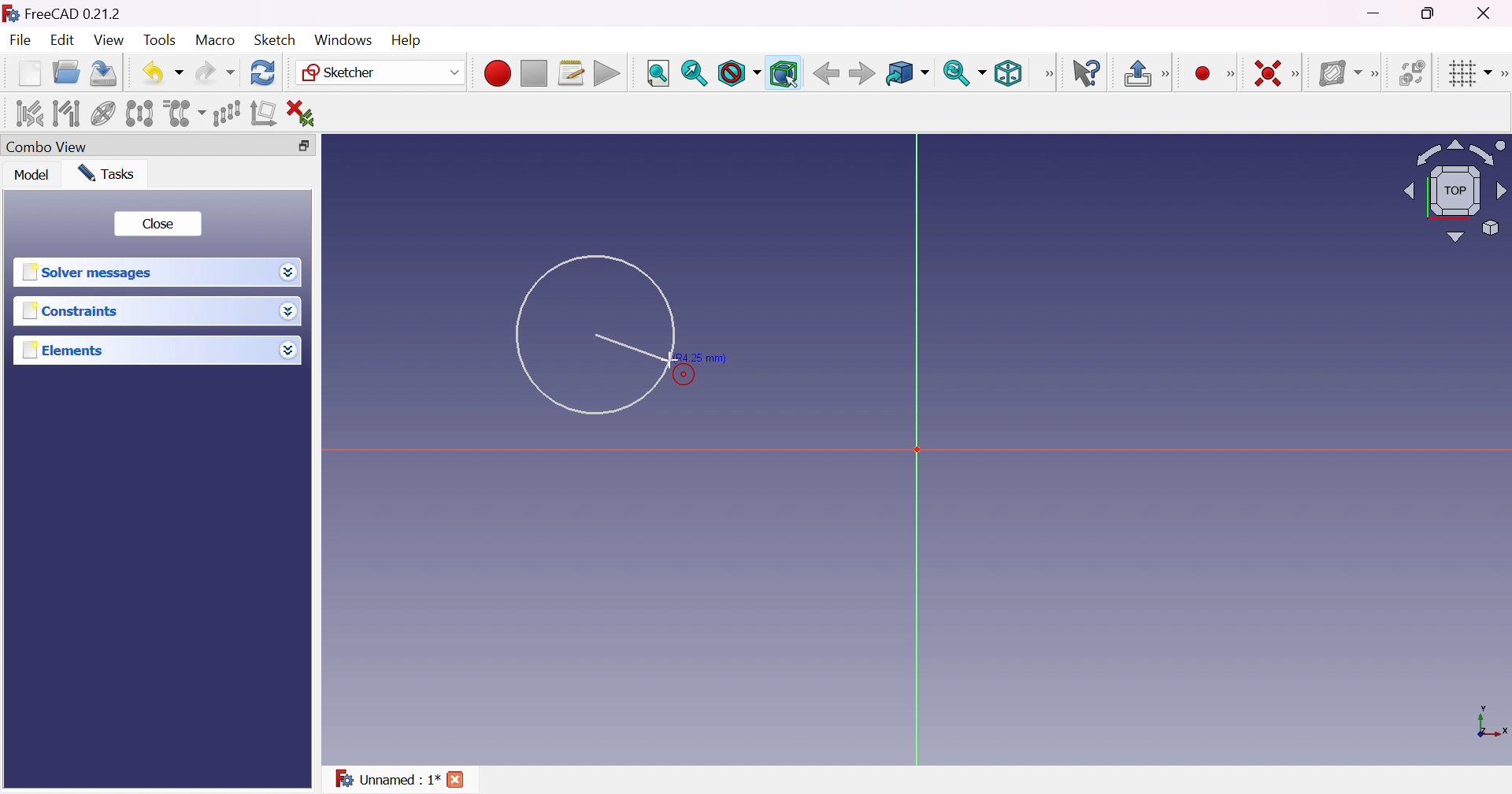 The image size is (1512, 794). Describe the element at coordinates (265, 113) in the screenshot. I see `Remove axes alignment` at that location.